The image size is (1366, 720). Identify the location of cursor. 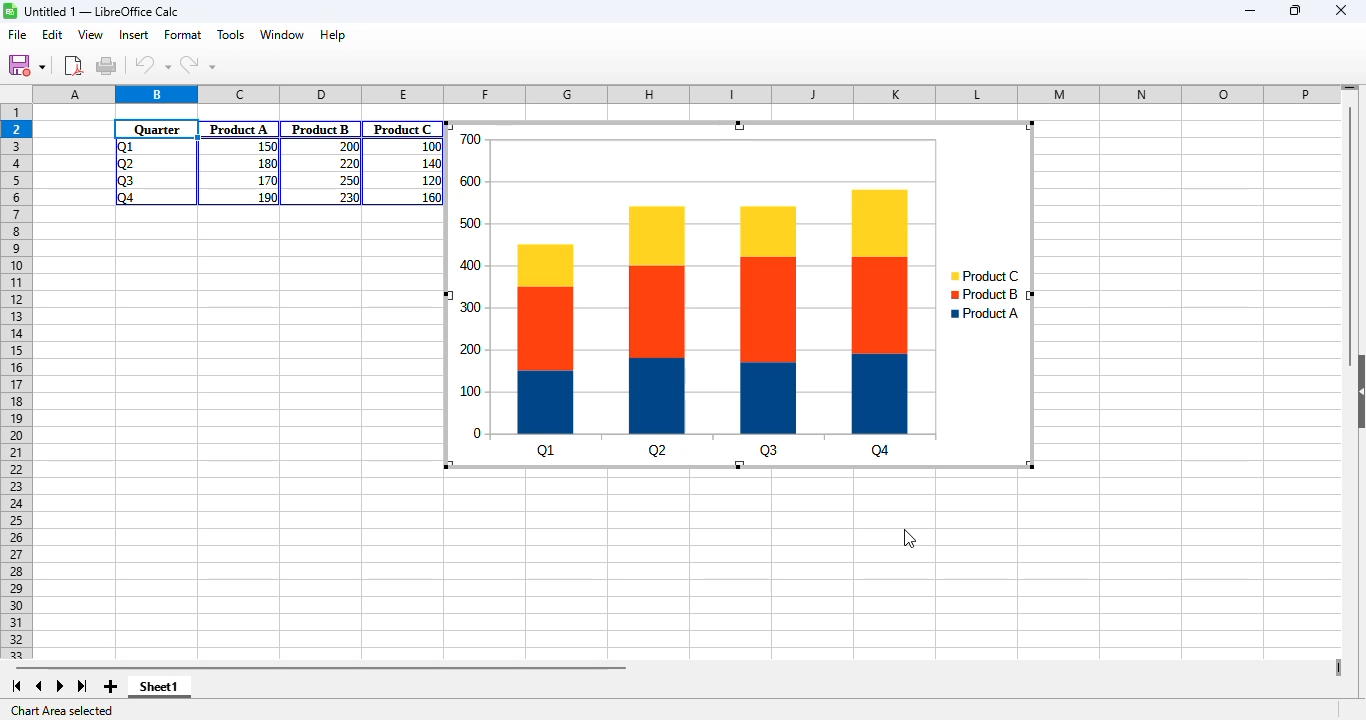
(910, 538).